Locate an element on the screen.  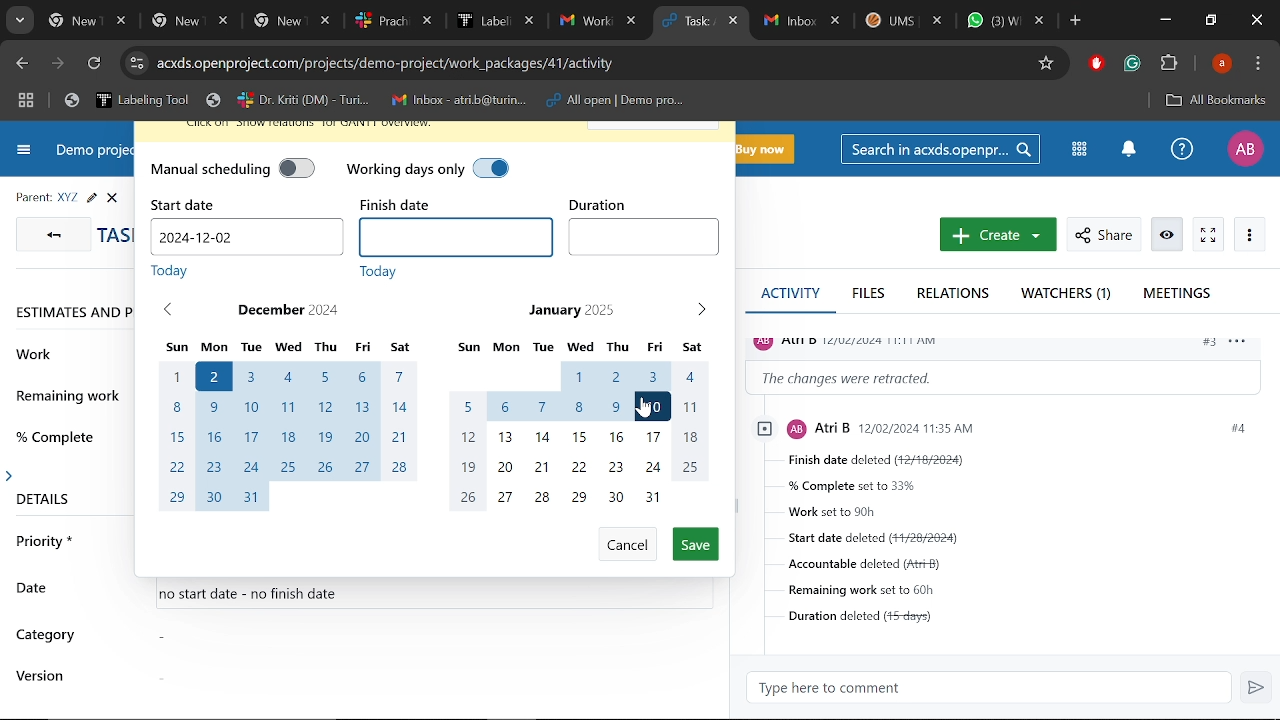
Parent task is located at coordinates (68, 198).